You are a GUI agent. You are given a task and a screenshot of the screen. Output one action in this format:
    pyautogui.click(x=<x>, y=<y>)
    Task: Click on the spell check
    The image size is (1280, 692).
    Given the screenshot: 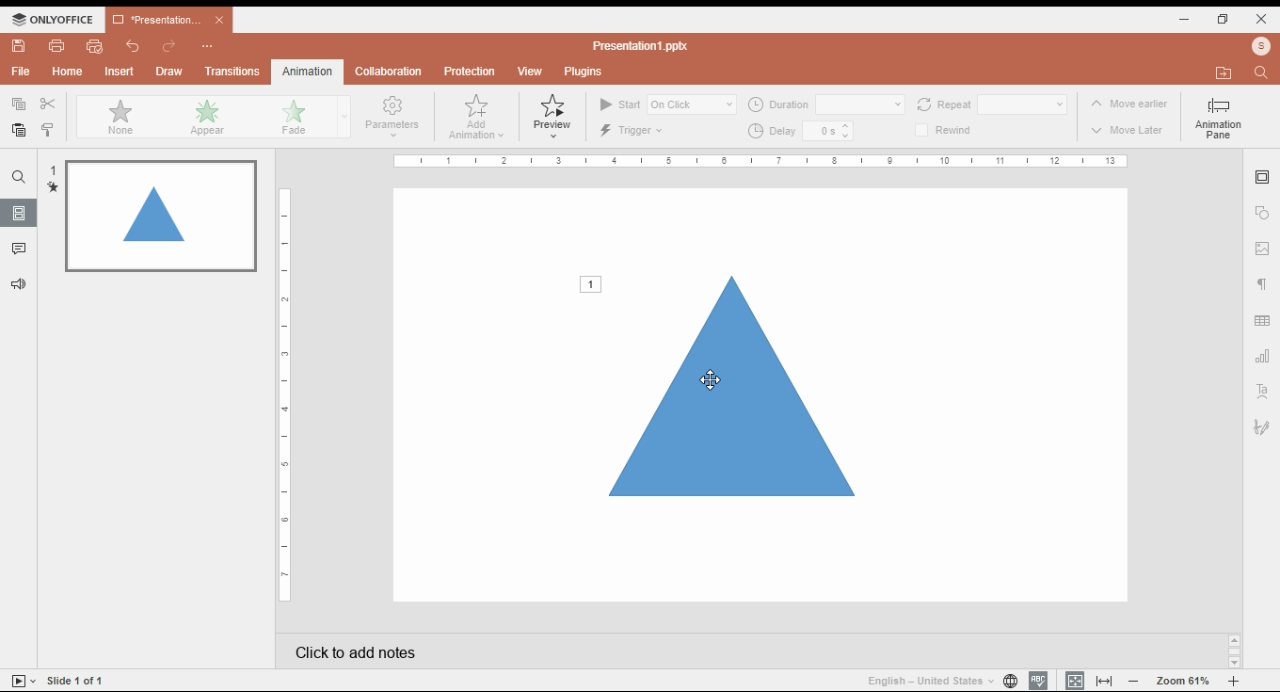 What is the action you would take?
    pyautogui.click(x=1036, y=678)
    